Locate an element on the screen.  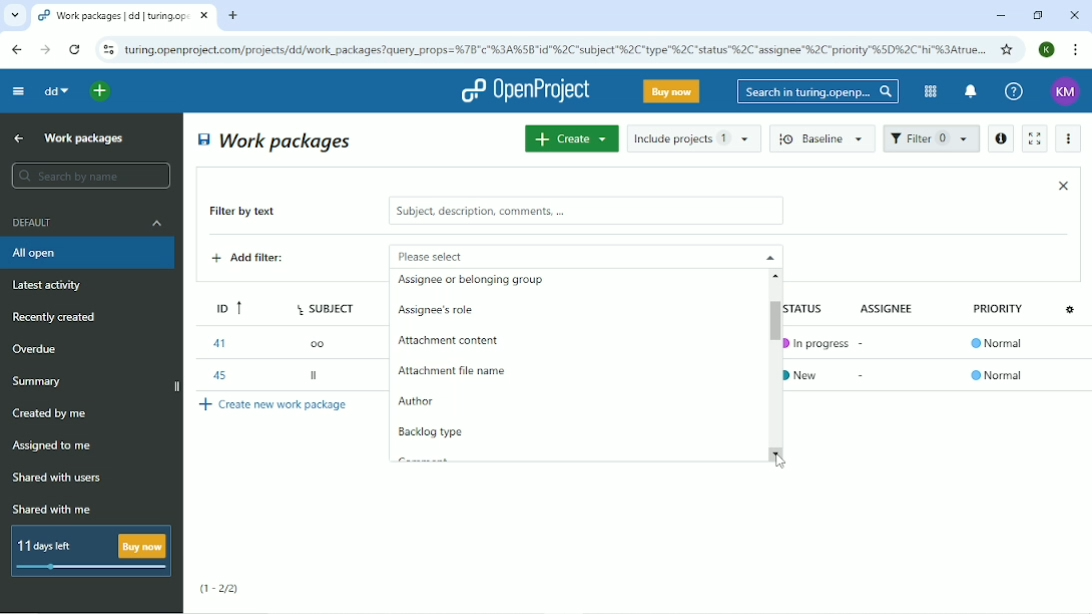
Bookmark this tab is located at coordinates (1007, 49).